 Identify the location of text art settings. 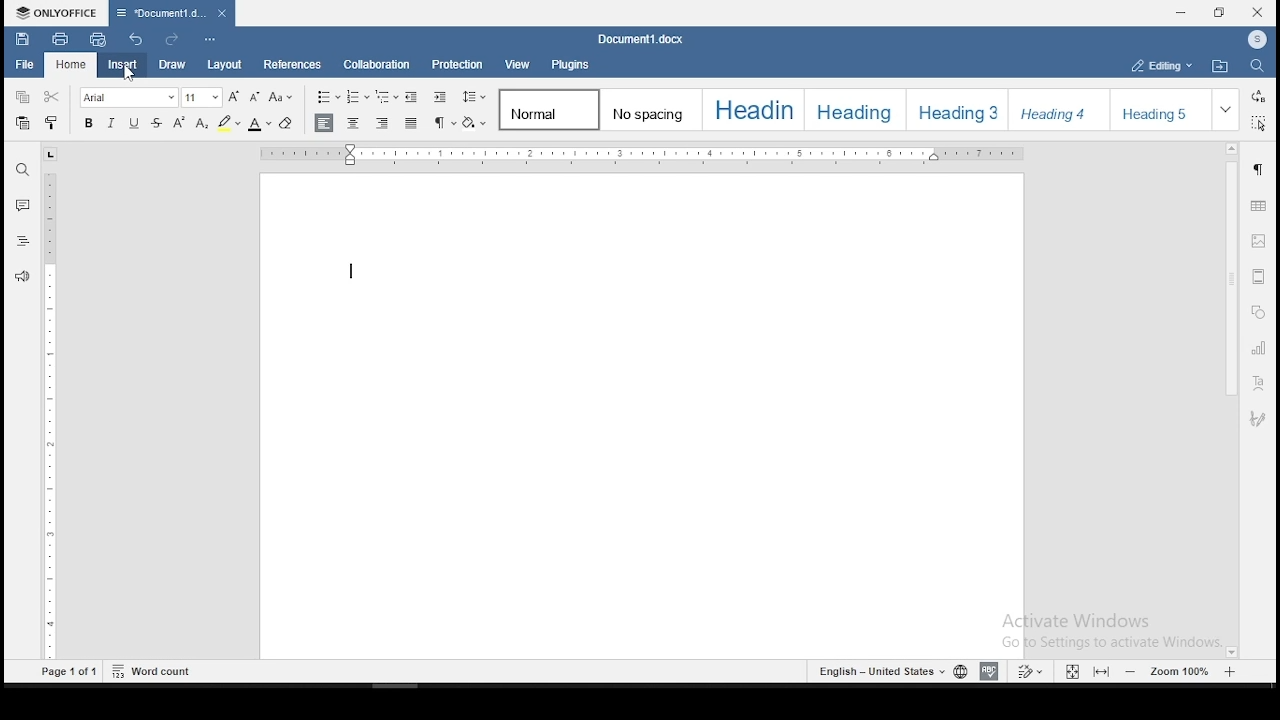
(1258, 385).